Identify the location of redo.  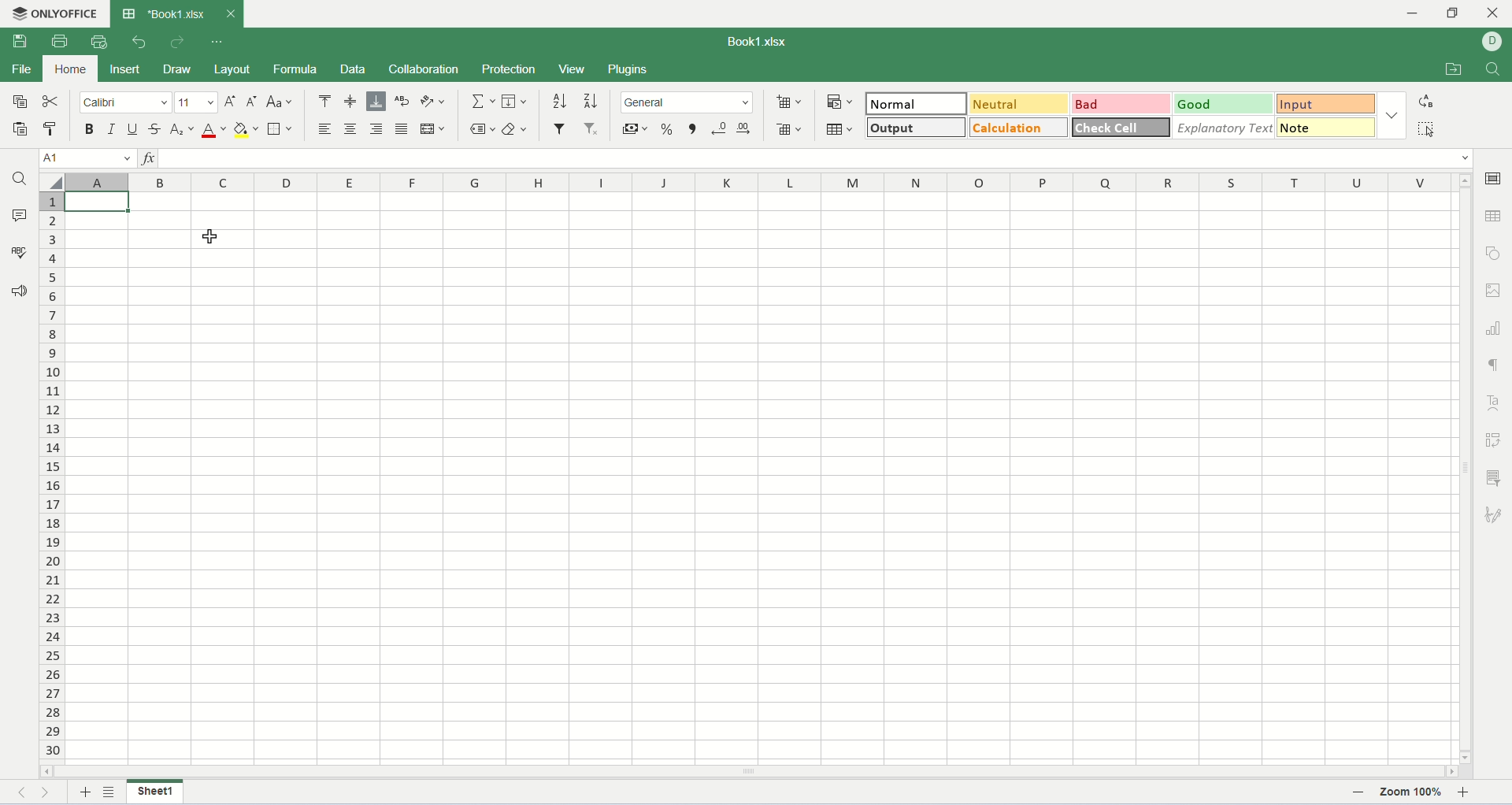
(181, 43).